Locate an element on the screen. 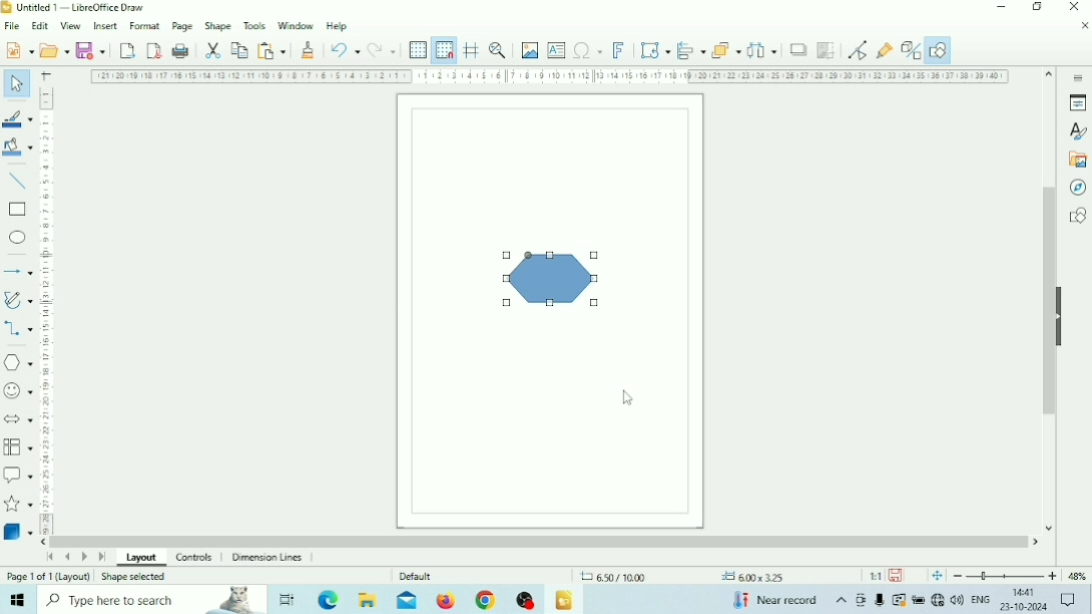 This screenshot has width=1092, height=614. Google Chrome is located at coordinates (484, 600).